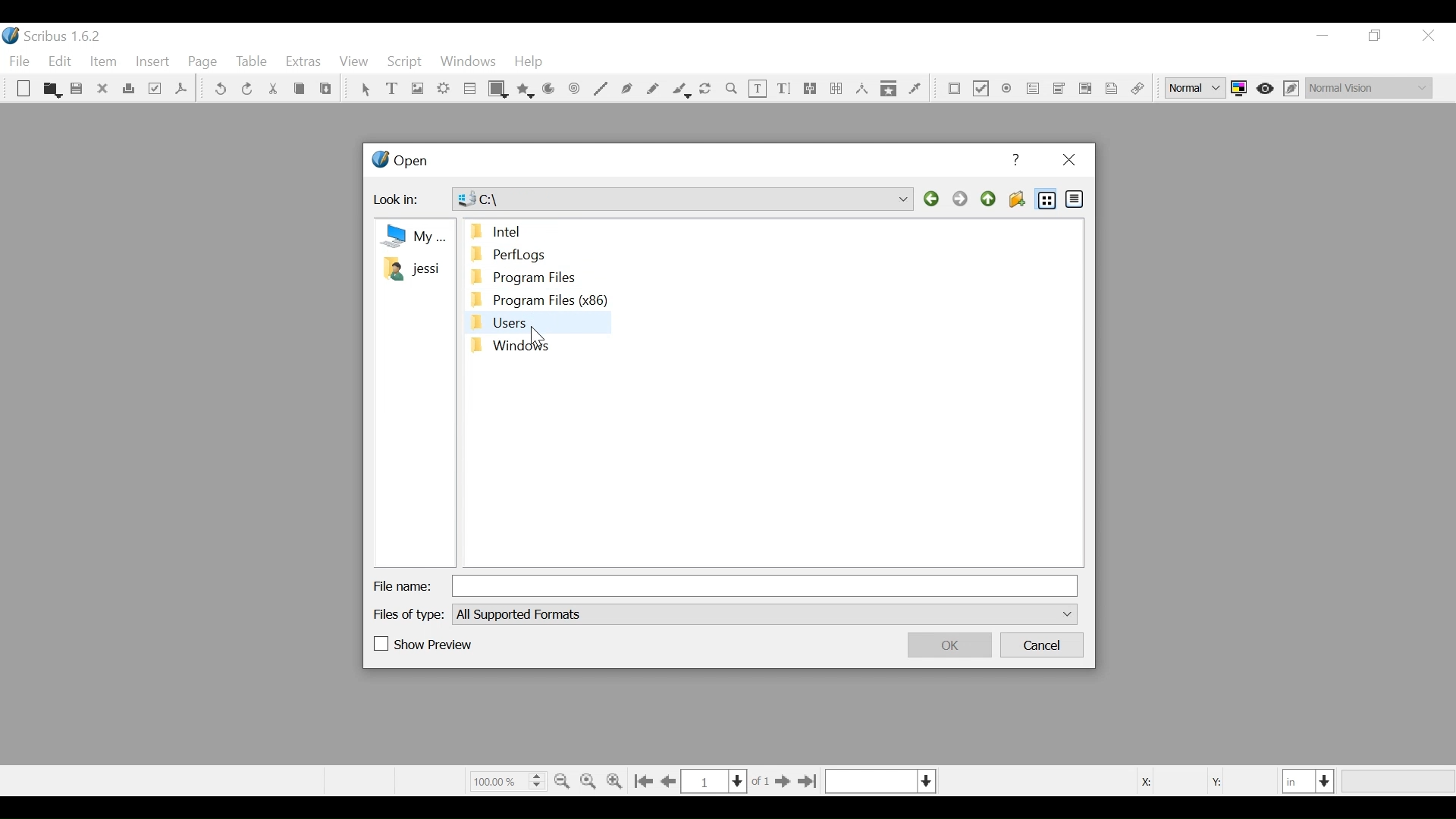  I want to click on Zoom out, so click(563, 780).